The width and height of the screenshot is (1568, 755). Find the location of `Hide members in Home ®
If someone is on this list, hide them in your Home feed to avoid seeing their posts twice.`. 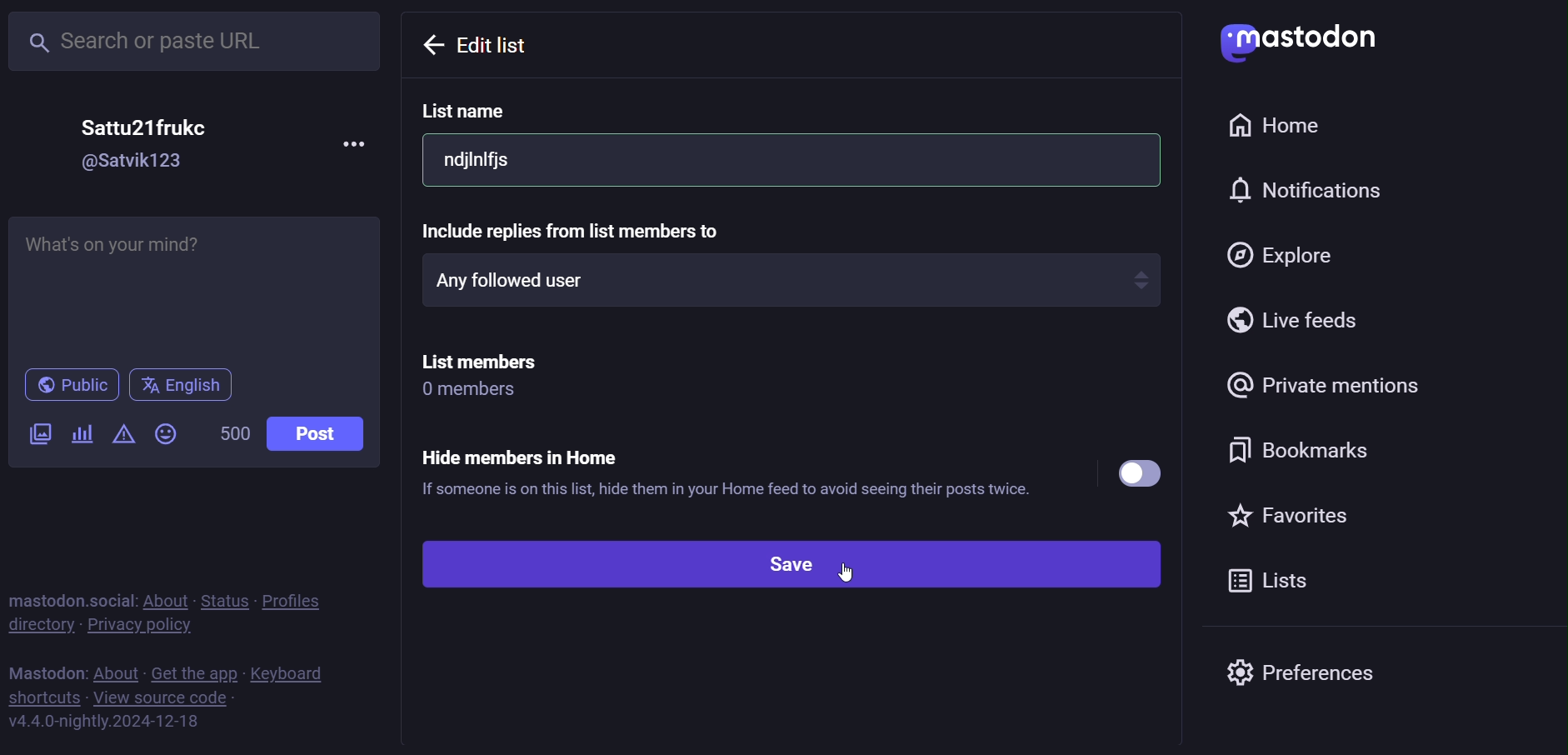

Hide members in Home ®
If someone is on this list, hide them in your Home feed to avoid seeing their posts twice. is located at coordinates (793, 474).